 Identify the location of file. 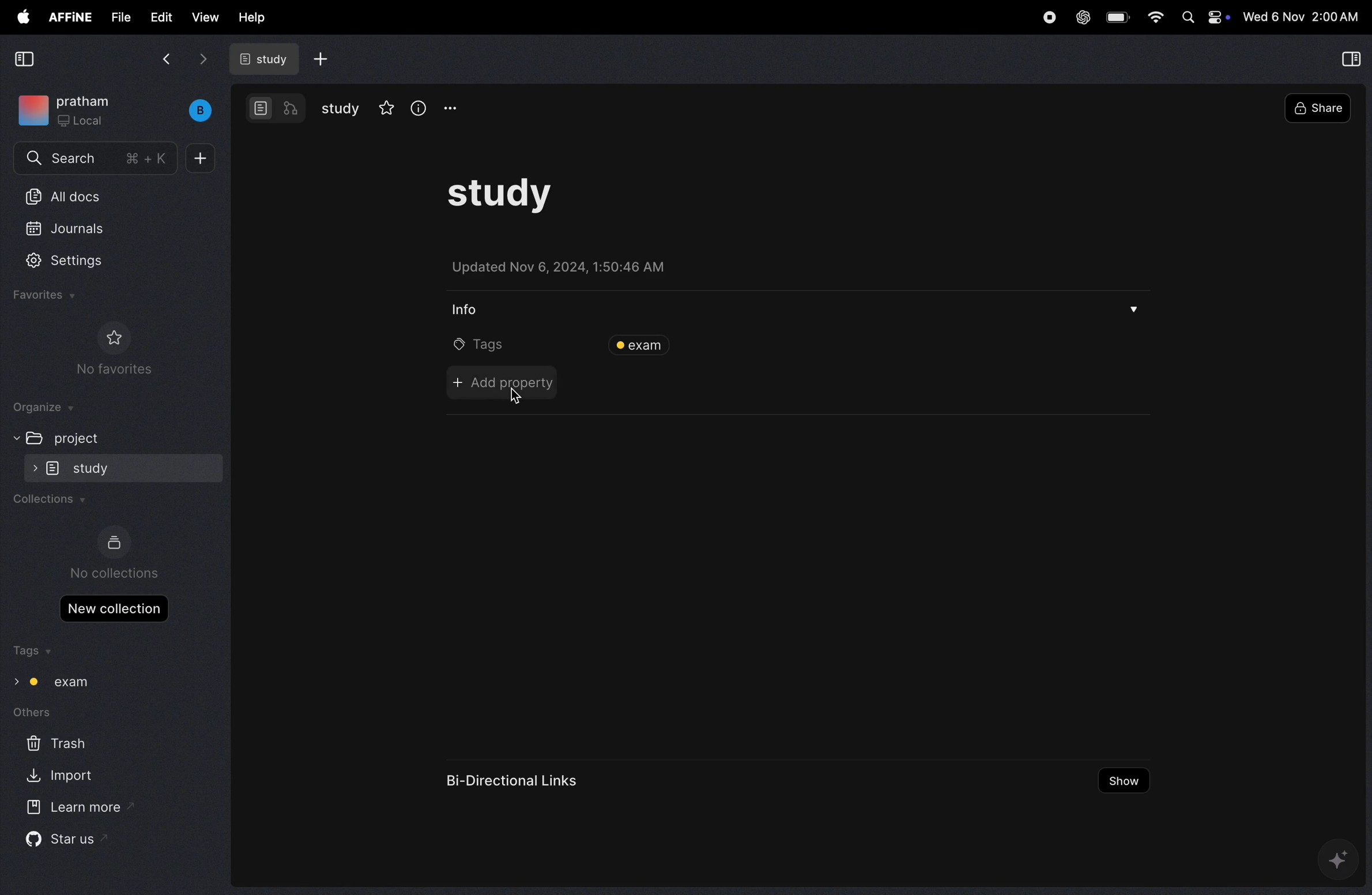
(122, 18).